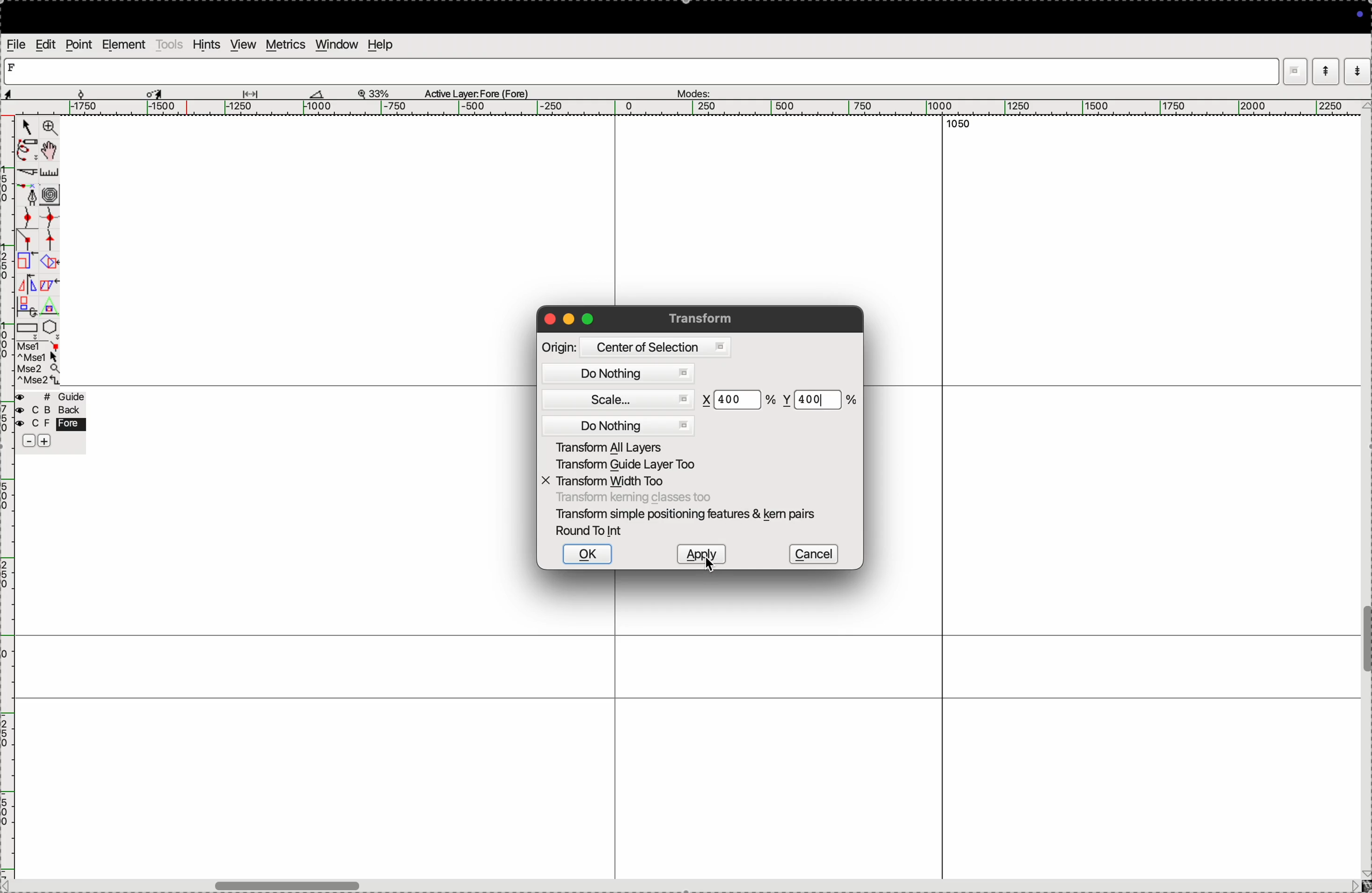  Describe the element at coordinates (789, 400) in the screenshot. I see `y co ordinate` at that location.